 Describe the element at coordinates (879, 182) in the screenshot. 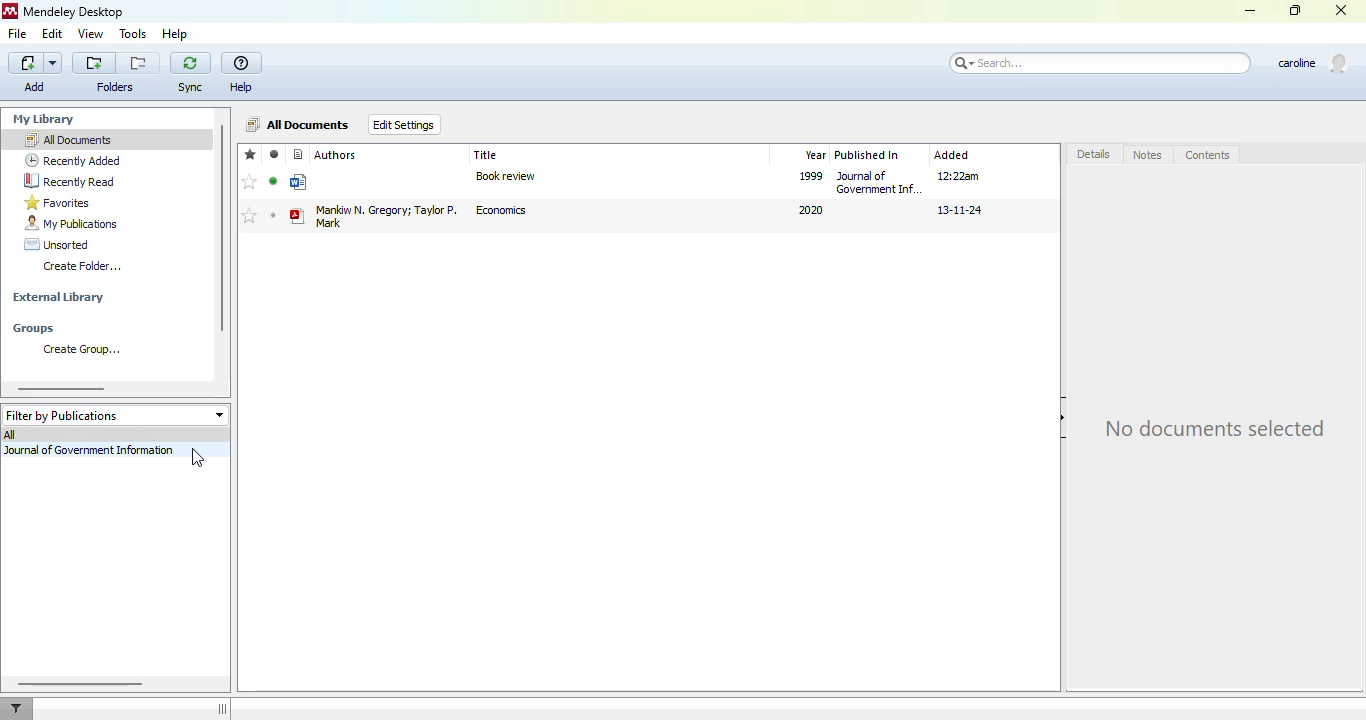

I see `journal of government information` at that location.